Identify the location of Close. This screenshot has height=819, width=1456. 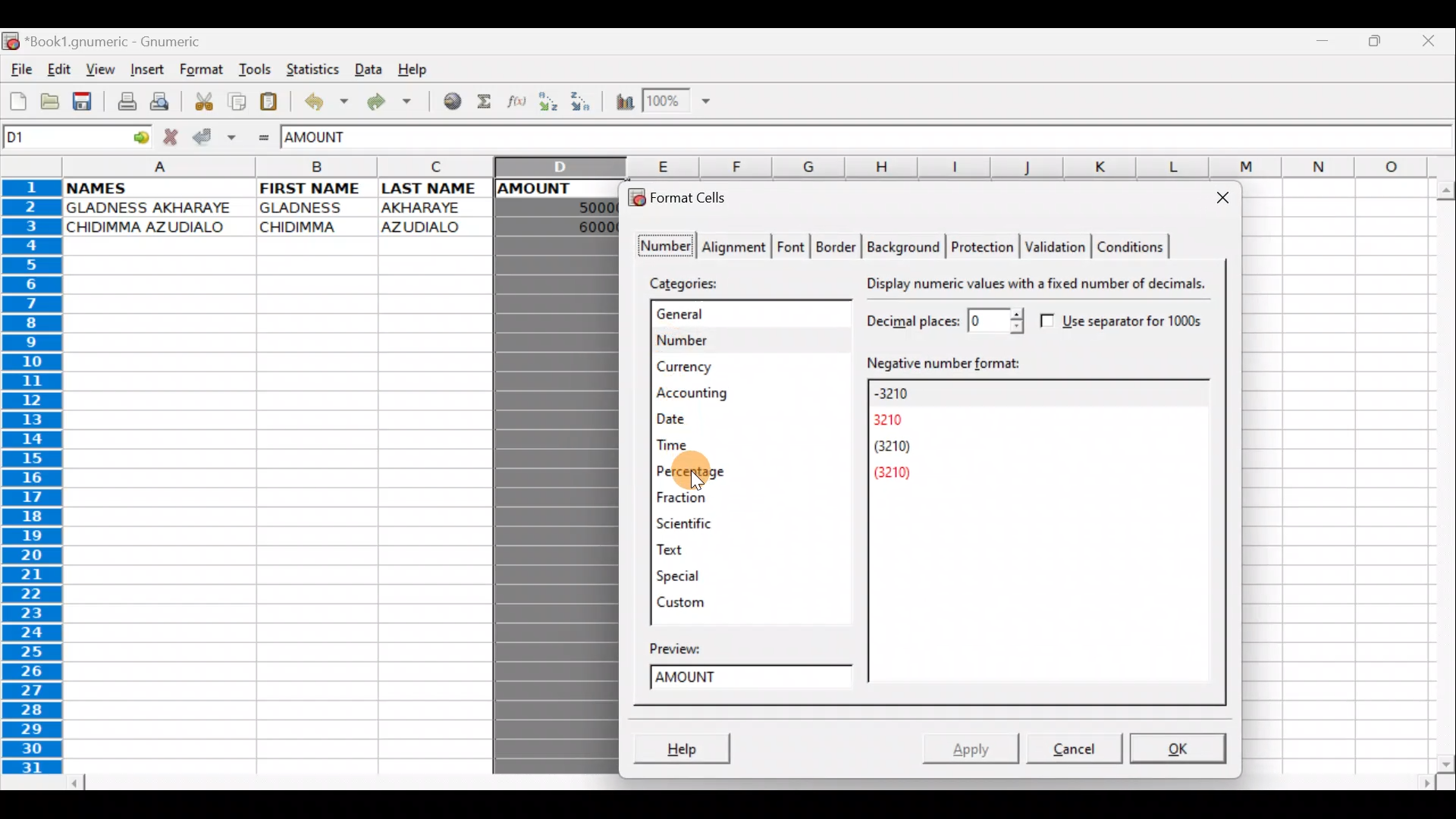
(1218, 197).